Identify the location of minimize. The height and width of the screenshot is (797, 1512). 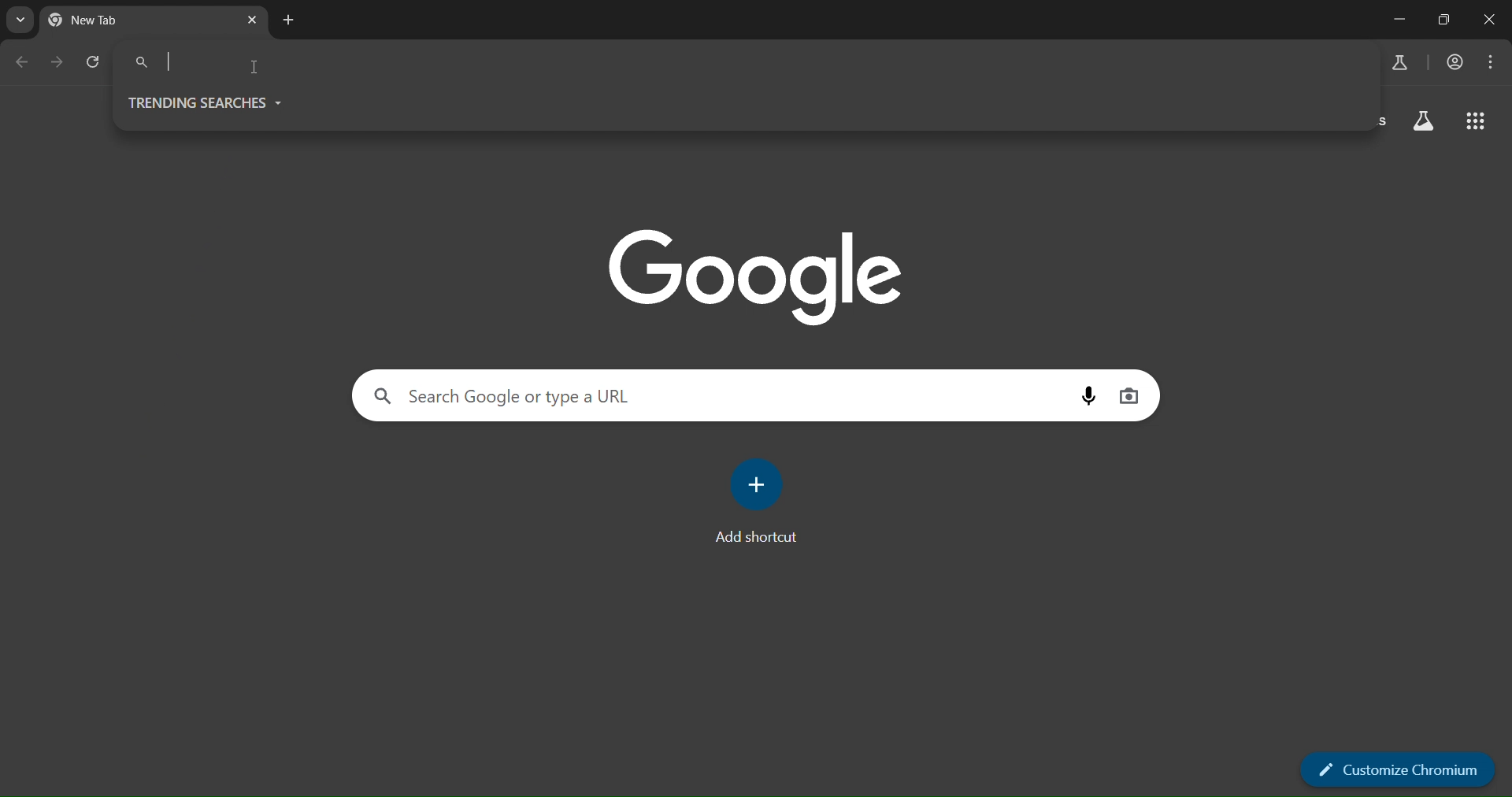
(1399, 18).